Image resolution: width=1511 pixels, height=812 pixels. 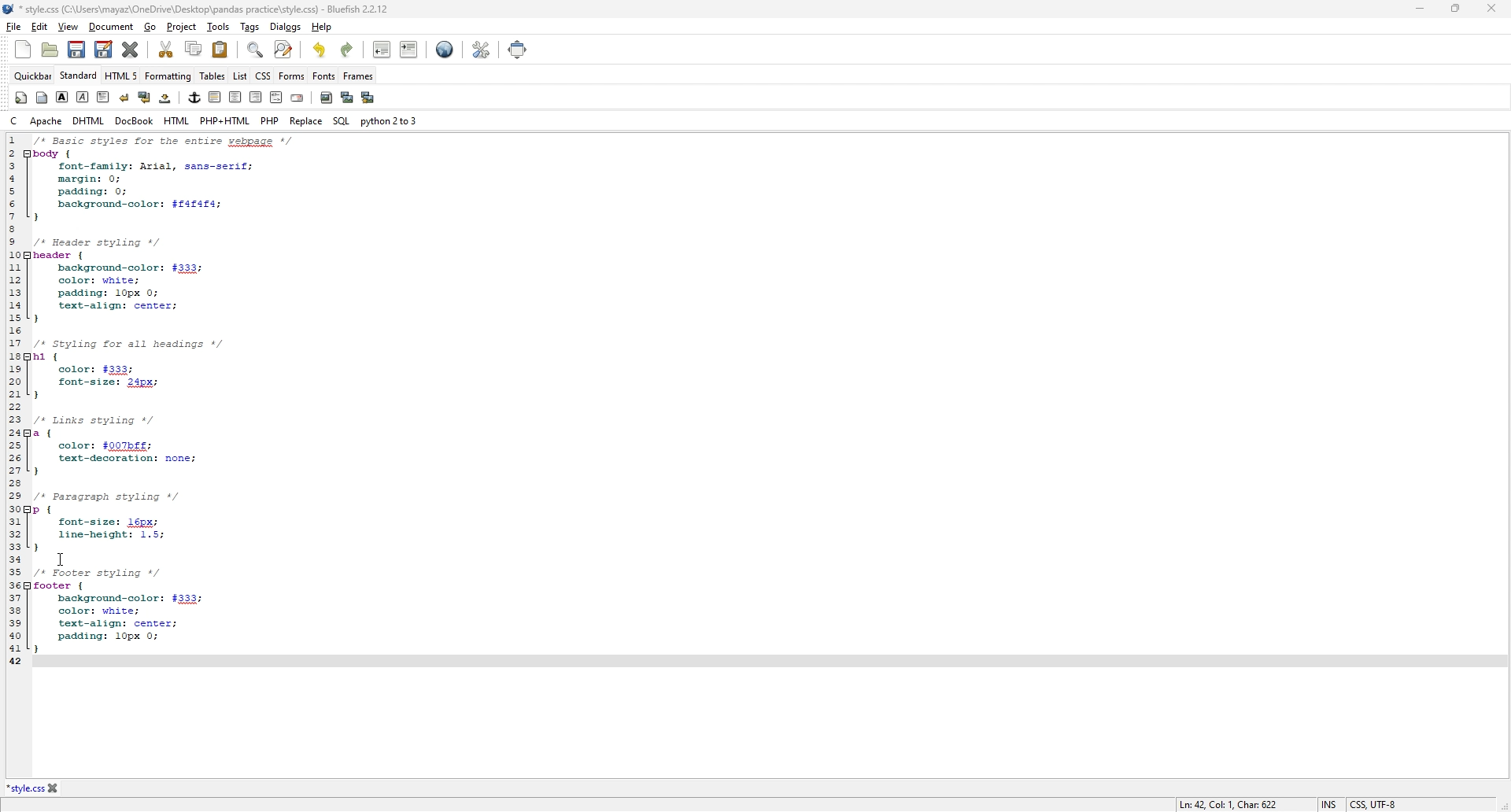 I want to click on code, so click(x=197, y=399).